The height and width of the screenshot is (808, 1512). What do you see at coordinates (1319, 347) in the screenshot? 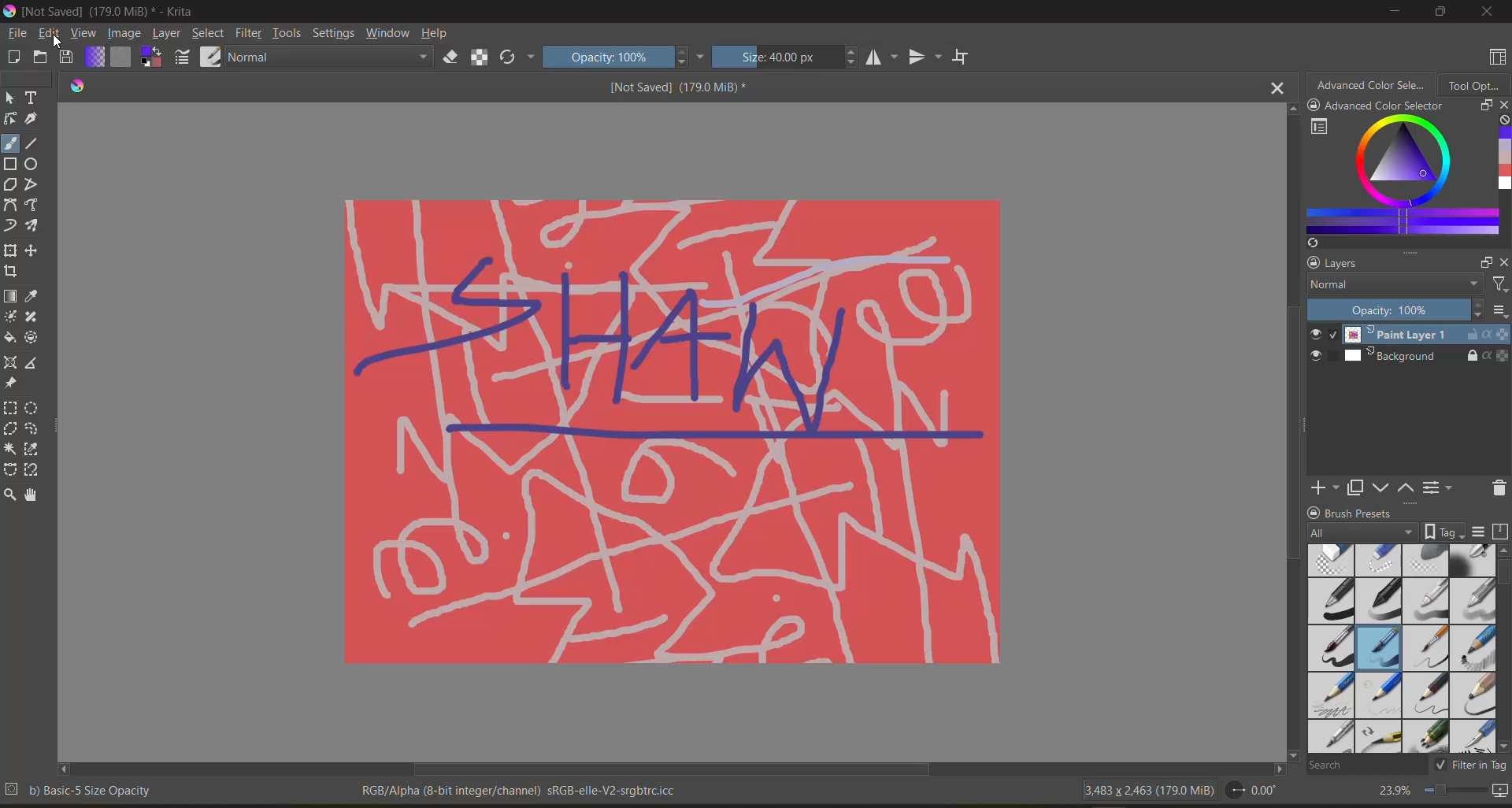
I see `preview` at bounding box center [1319, 347].